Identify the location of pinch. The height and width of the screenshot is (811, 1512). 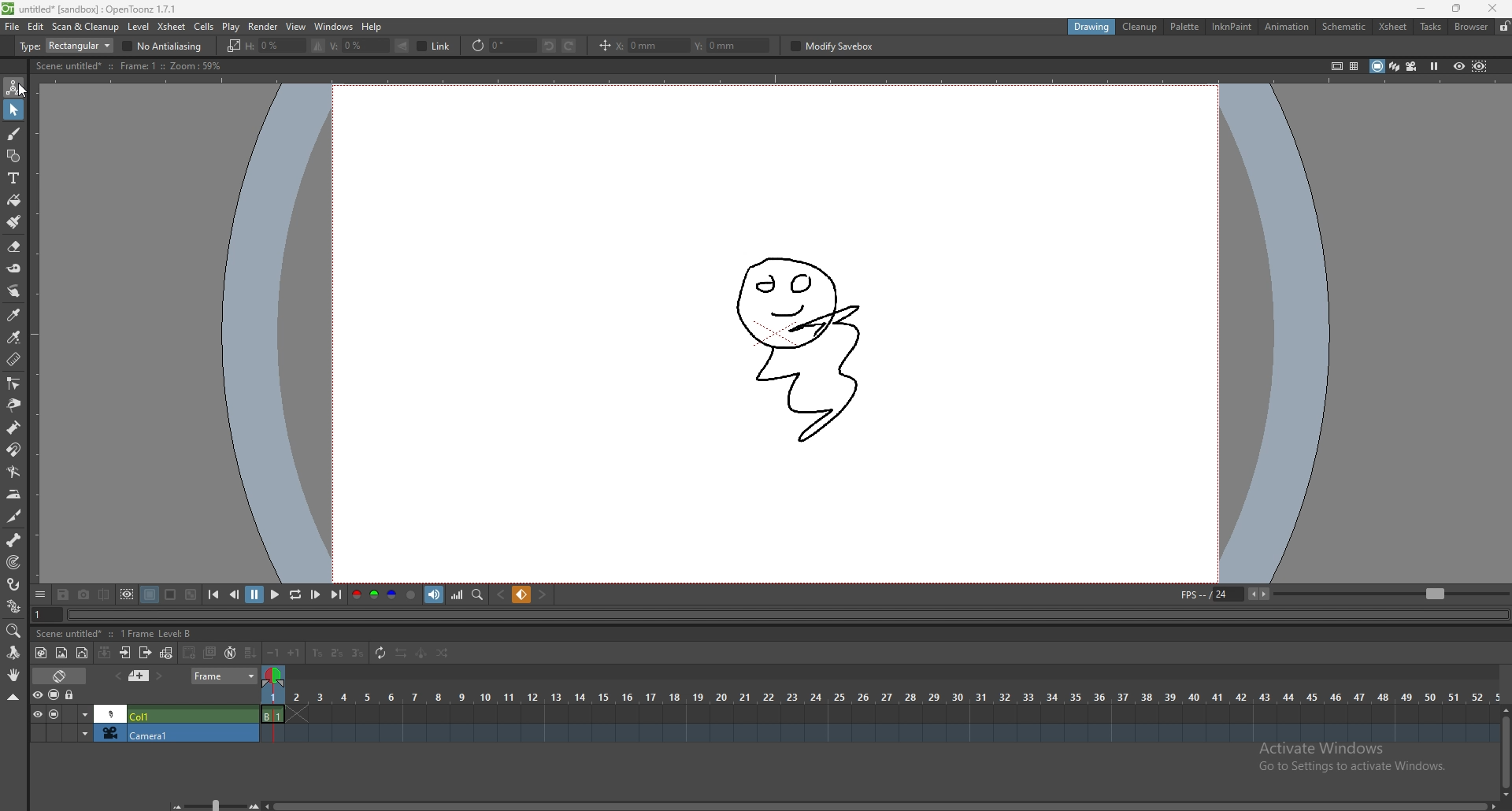
(13, 405).